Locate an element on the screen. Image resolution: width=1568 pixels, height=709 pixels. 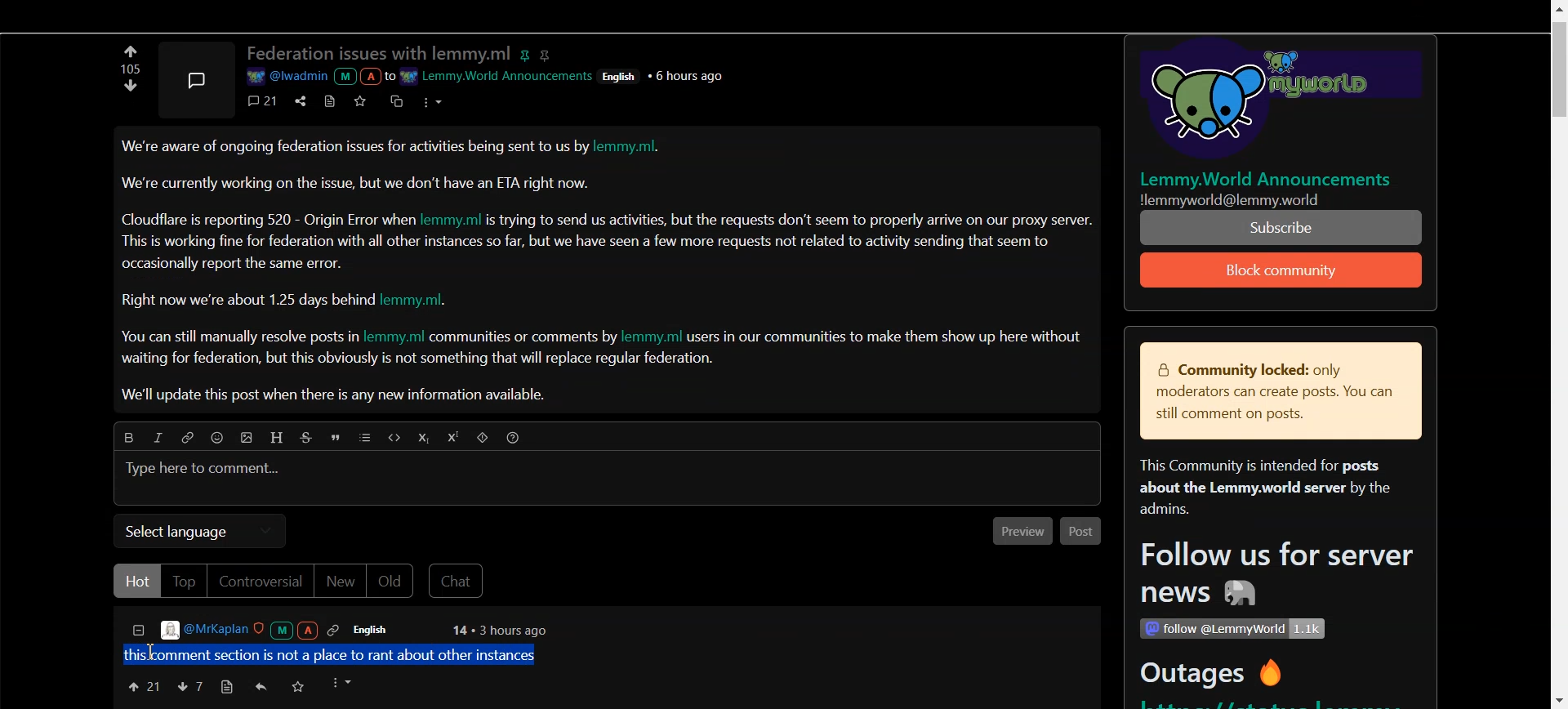
This Community is intended for posts
about the Lemmy.world server by the
admins. is located at coordinates (1258, 488).